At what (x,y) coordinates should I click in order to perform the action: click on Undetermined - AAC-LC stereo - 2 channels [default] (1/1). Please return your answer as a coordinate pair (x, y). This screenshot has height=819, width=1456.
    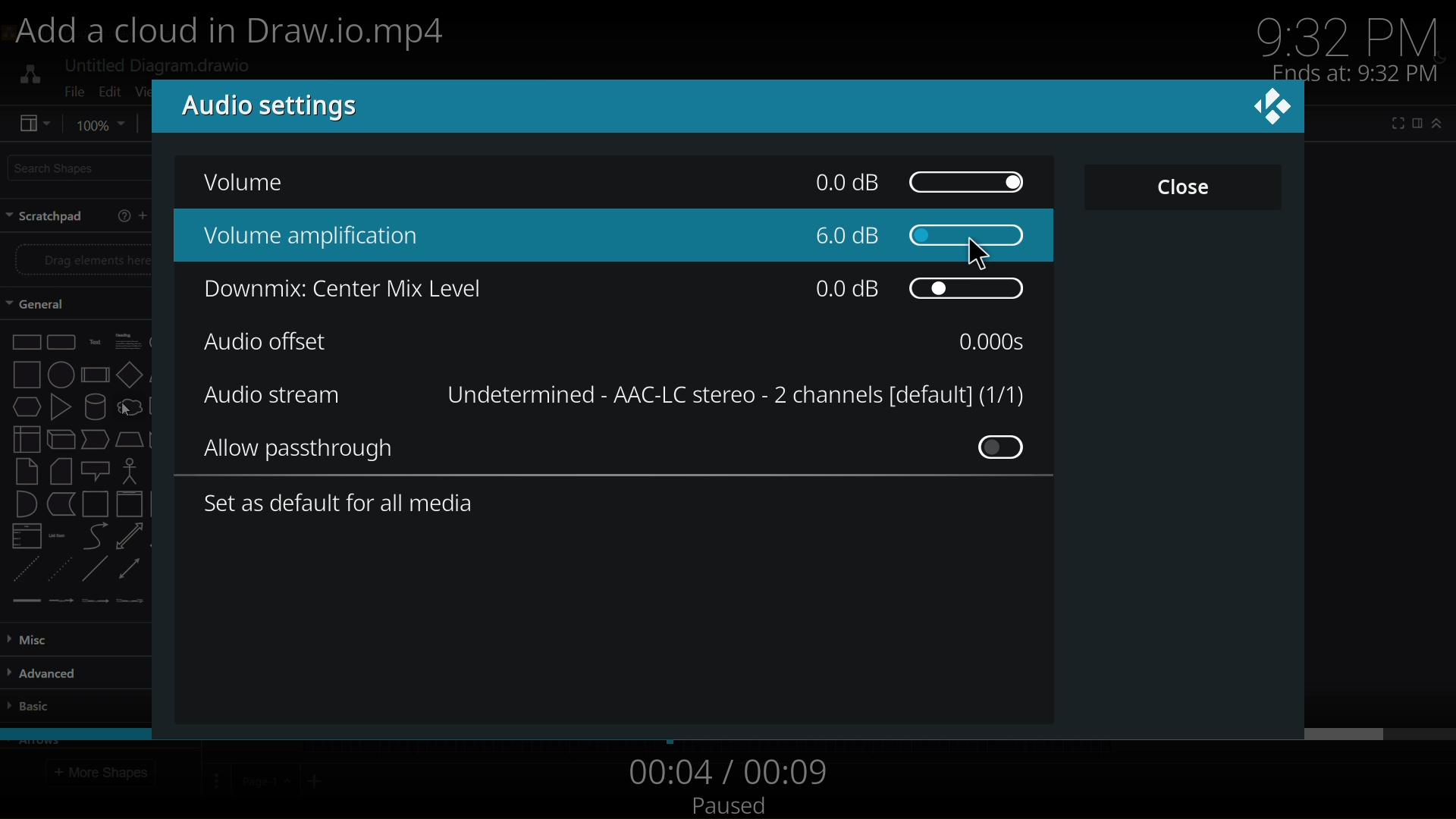
    Looking at the image, I should click on (730, 394).